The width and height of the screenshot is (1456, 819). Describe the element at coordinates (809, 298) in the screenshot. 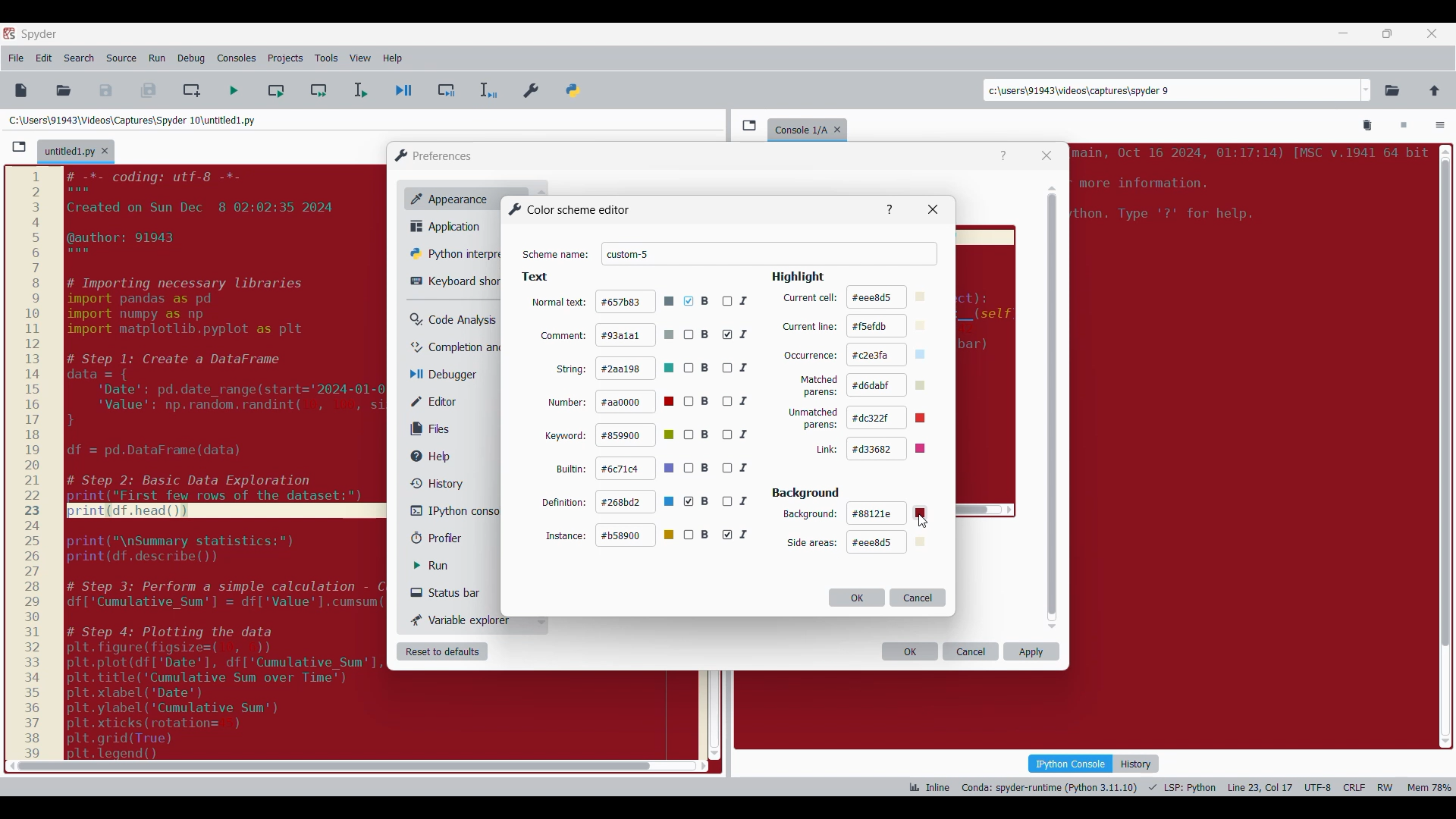

I see `current cell` at that location.